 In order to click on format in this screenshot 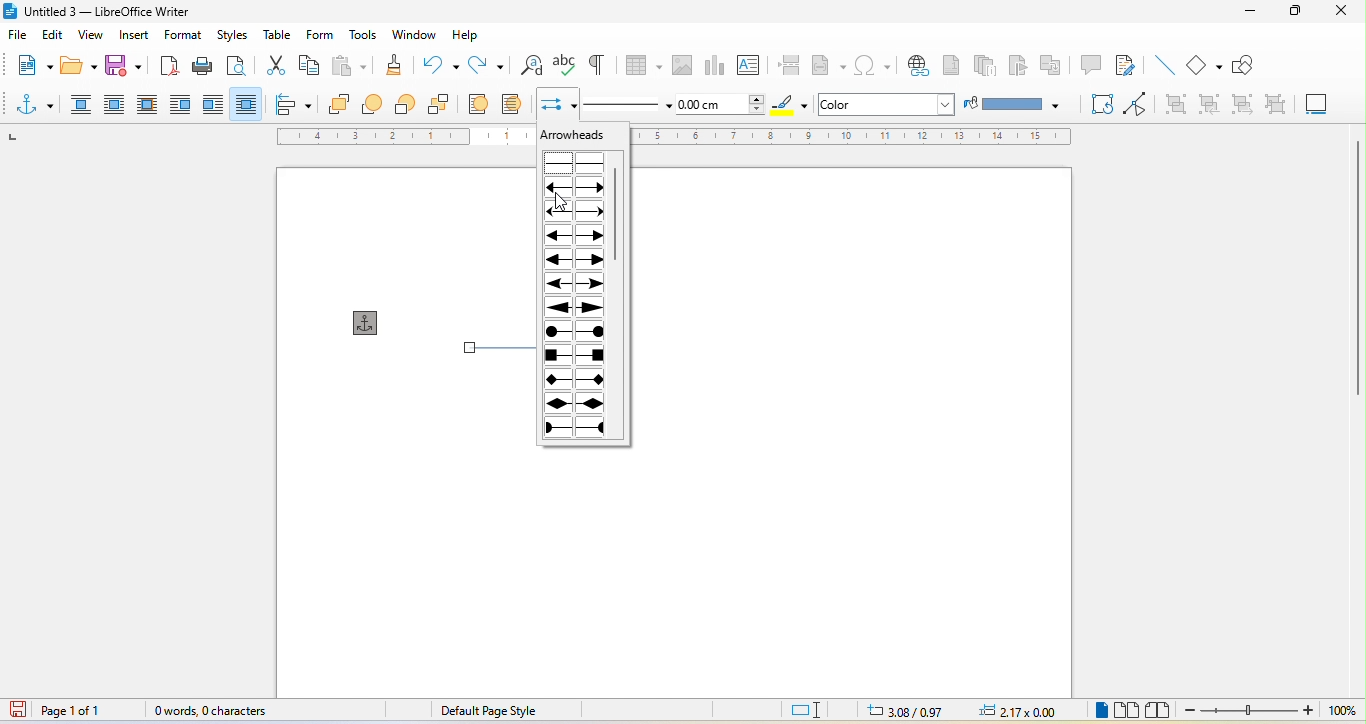, I will do `click(188, 36)`.